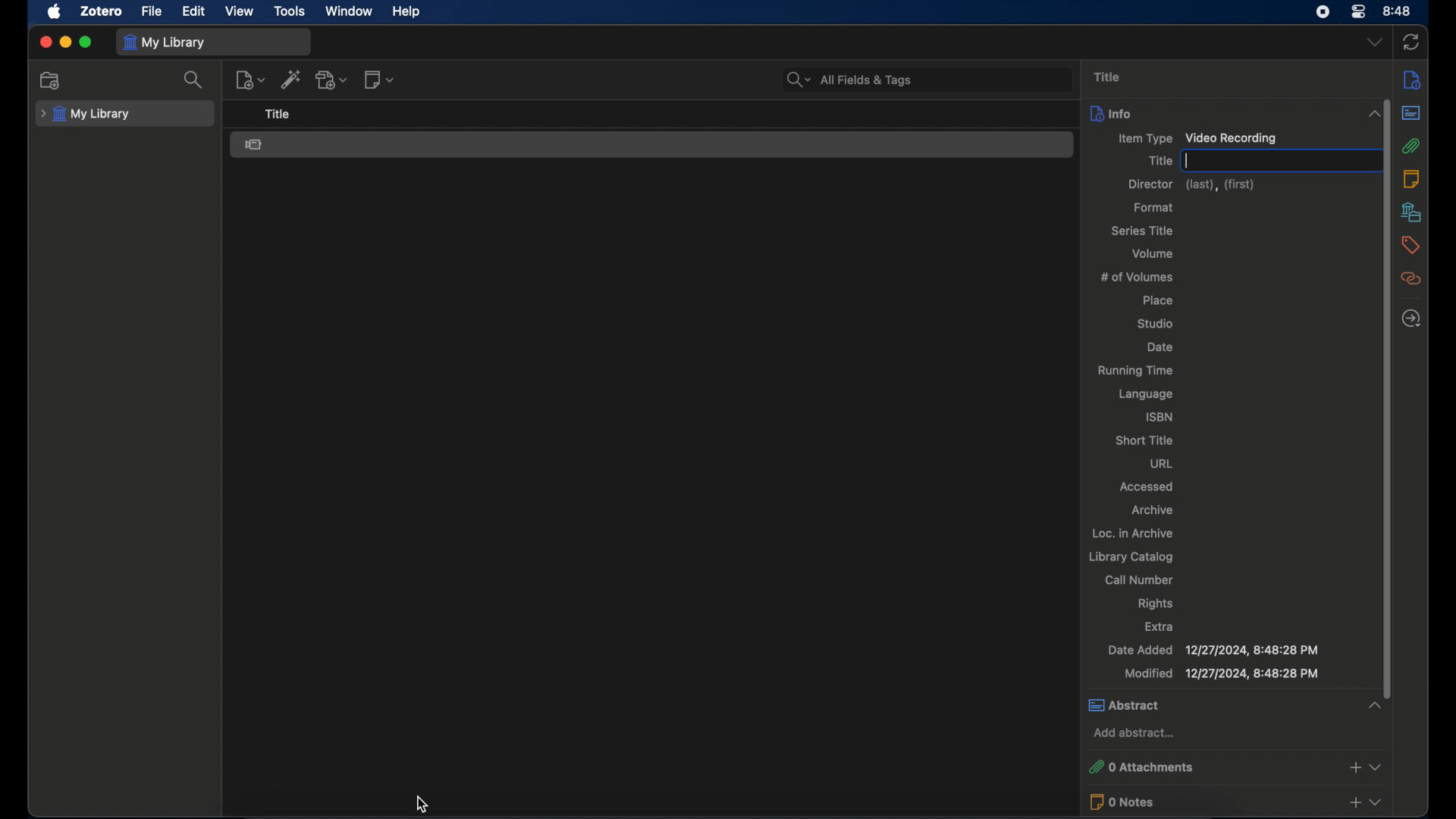 The height and width of the screenshot is (819, 1456). What do you see at coordinates (196, 80) in the screenshot?
I see `search` at bounding box center [196, 80].